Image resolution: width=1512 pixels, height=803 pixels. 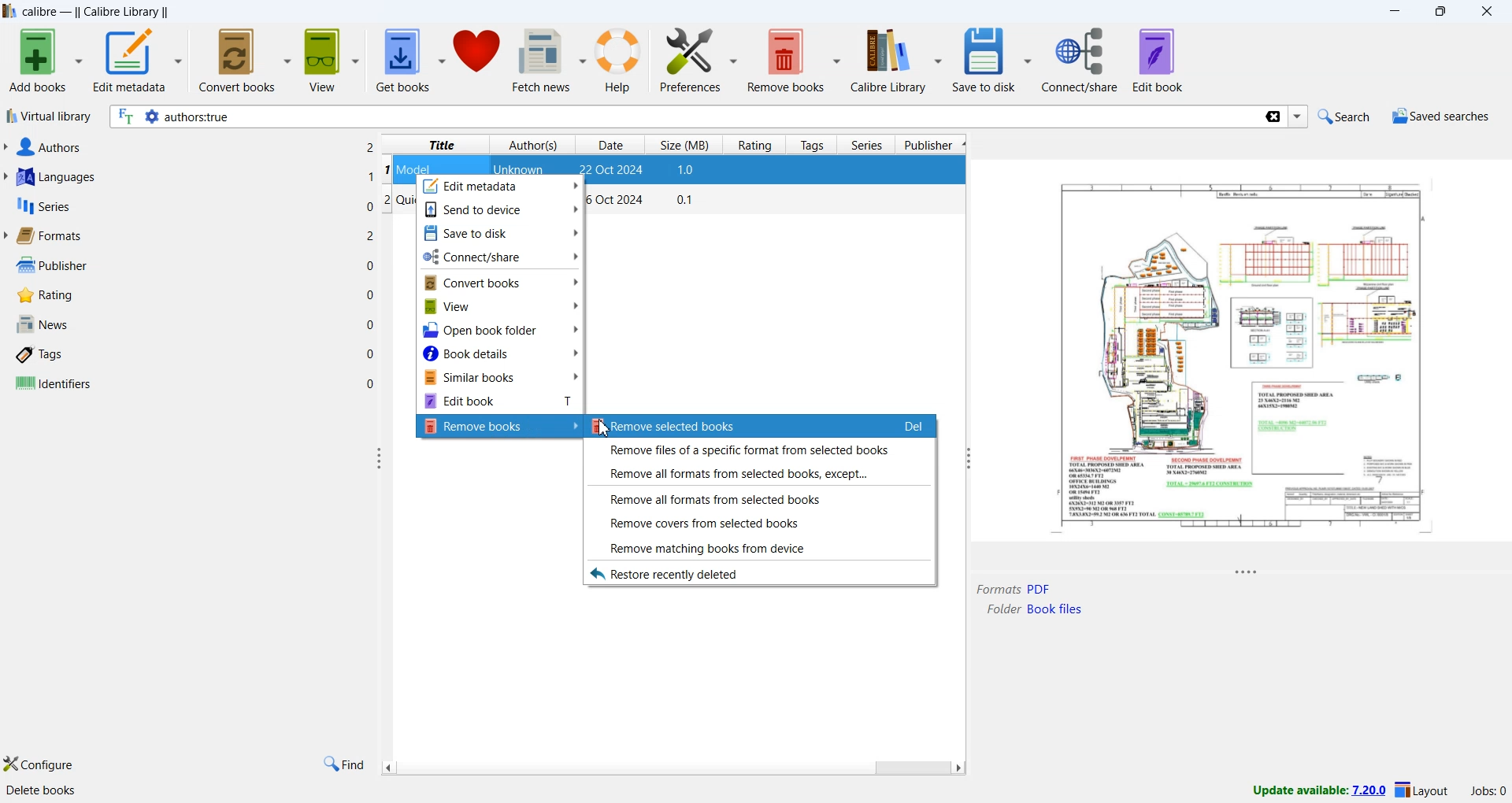 I want to click on Open book folder, so click(x=502, y=328).